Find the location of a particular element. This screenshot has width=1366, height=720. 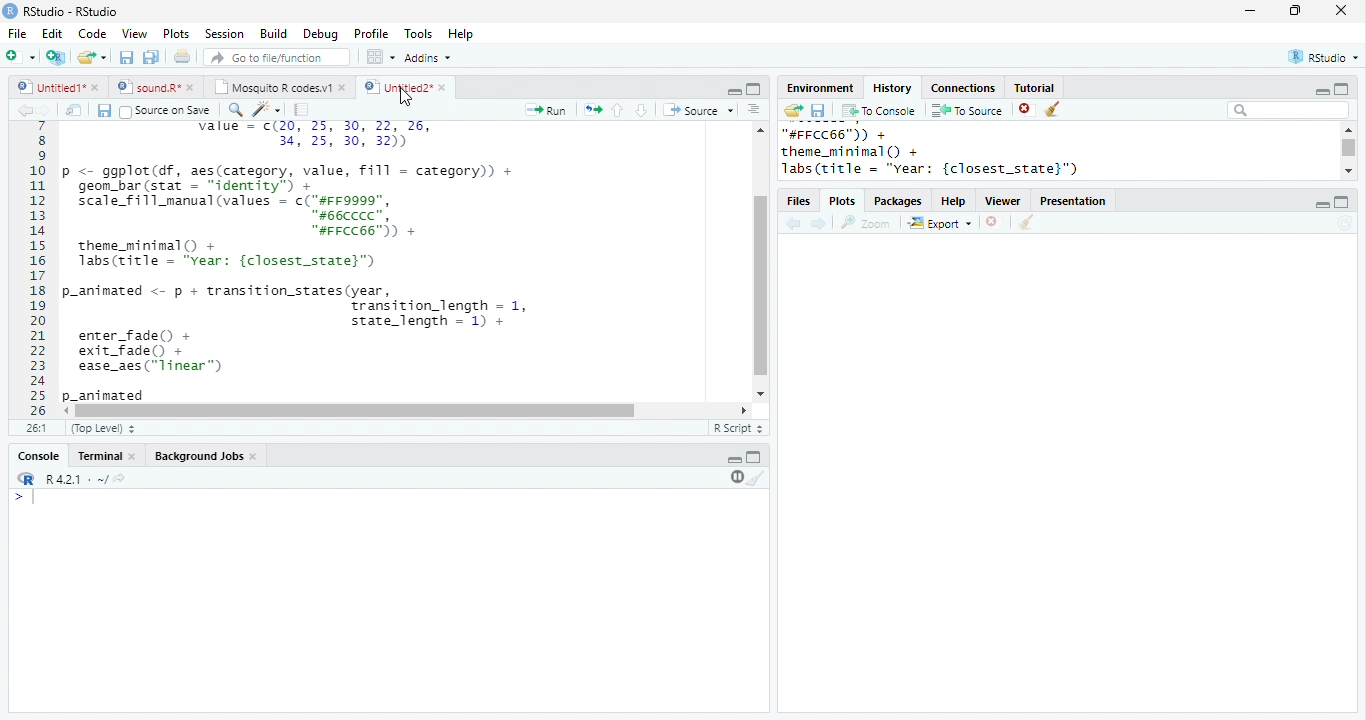

refresh is located at coordinates (1345, 223).